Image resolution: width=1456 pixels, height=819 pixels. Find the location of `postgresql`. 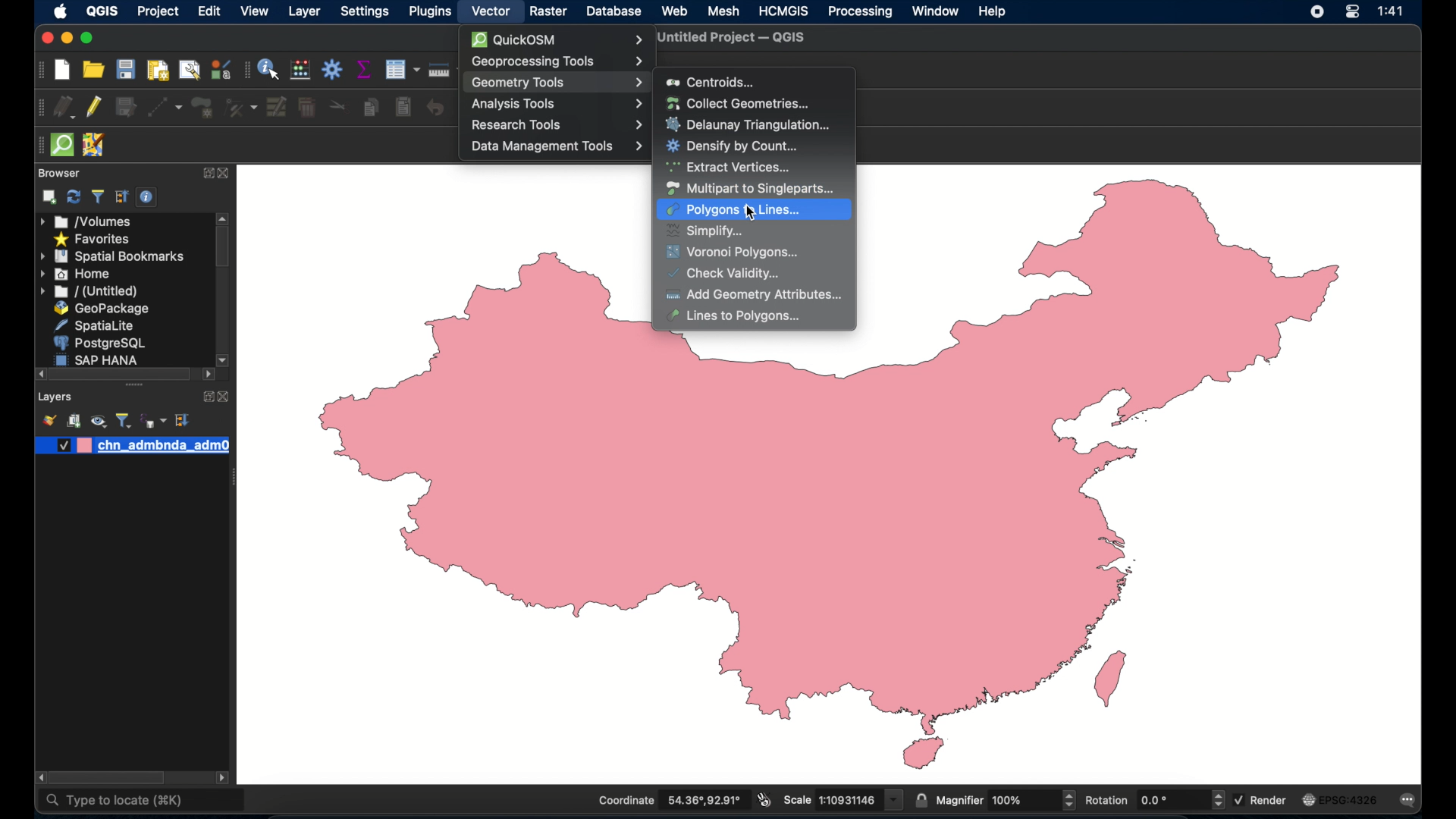

postgresql is located at coordinates (98, 343).